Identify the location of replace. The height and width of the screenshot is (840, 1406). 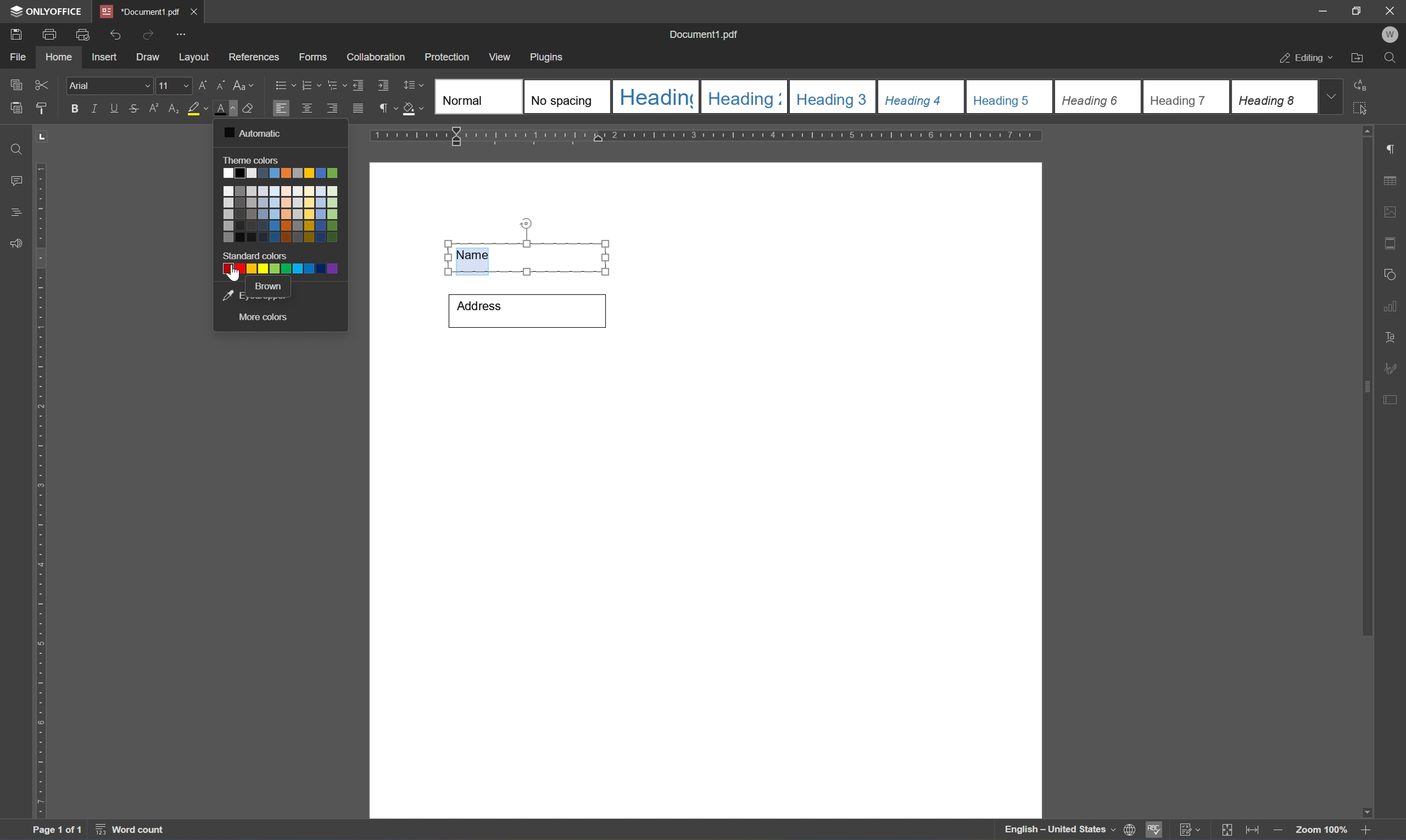
(1365, 85).